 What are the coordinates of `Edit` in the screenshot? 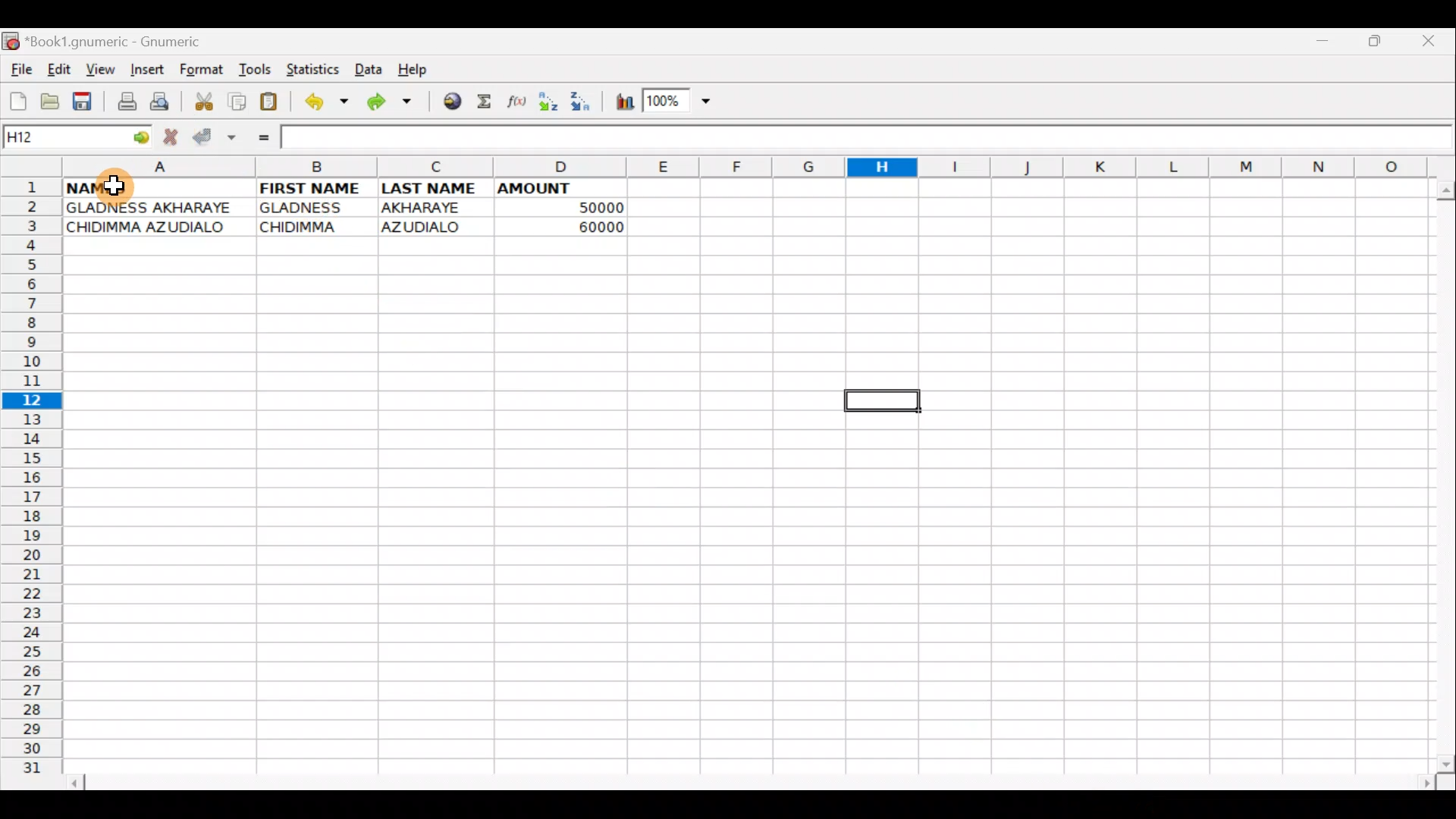 It's located at (61, 71).